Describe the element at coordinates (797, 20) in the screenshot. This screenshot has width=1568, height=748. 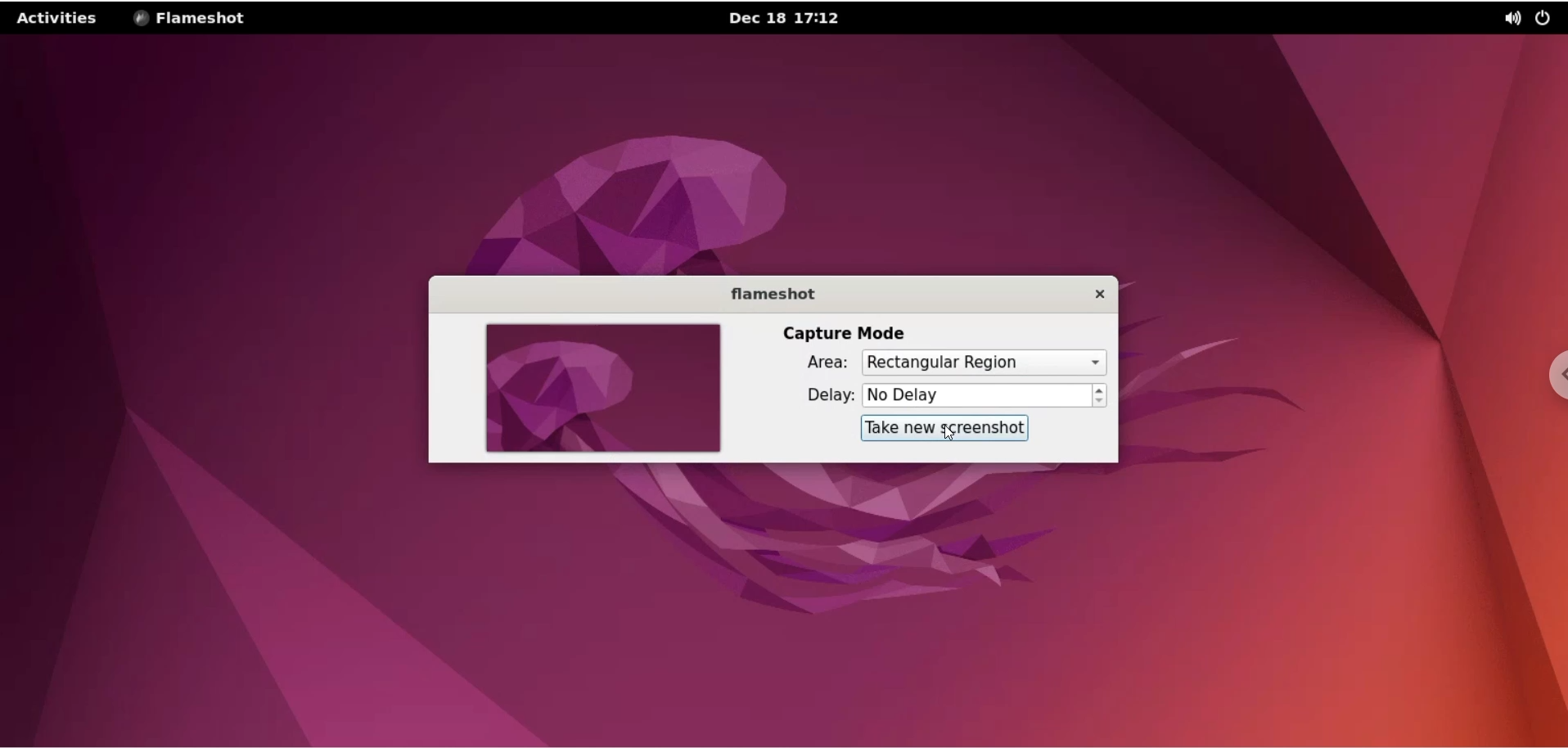
I see `date and time` at that location.